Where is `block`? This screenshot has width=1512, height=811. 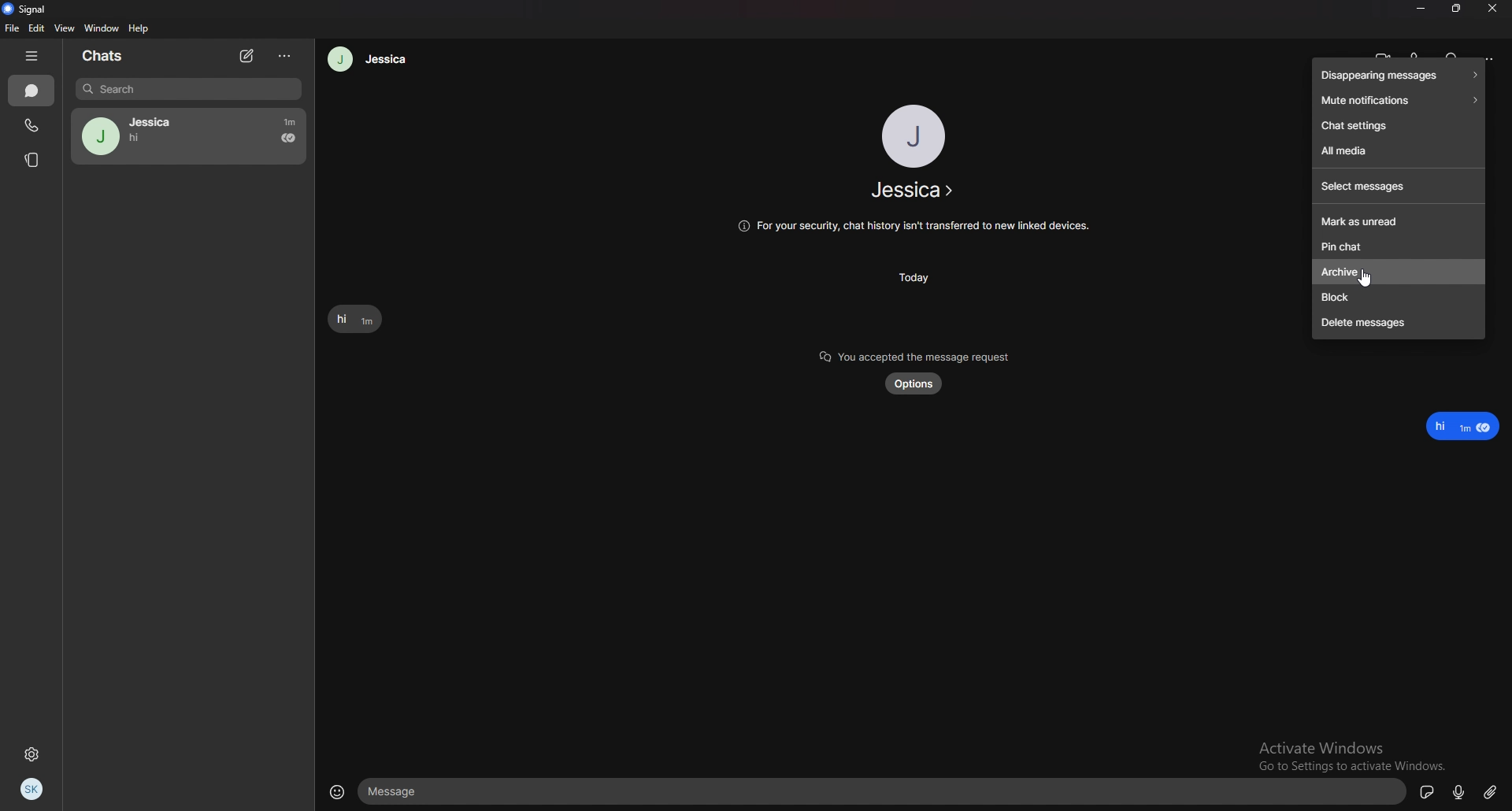 block is located at coordinates (1396, 298).